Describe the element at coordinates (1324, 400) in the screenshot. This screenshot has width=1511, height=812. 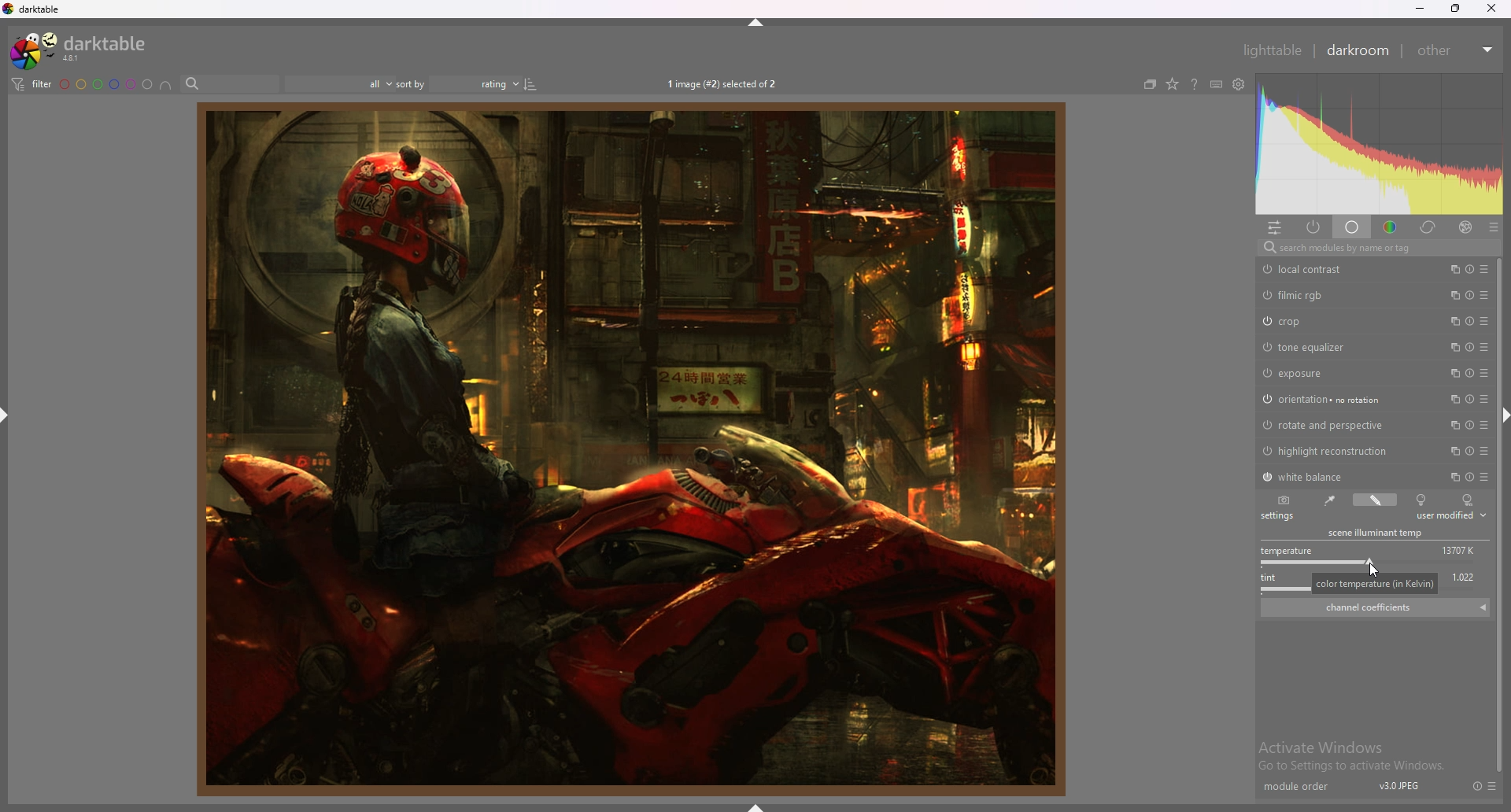
I see `orientation` at that location.